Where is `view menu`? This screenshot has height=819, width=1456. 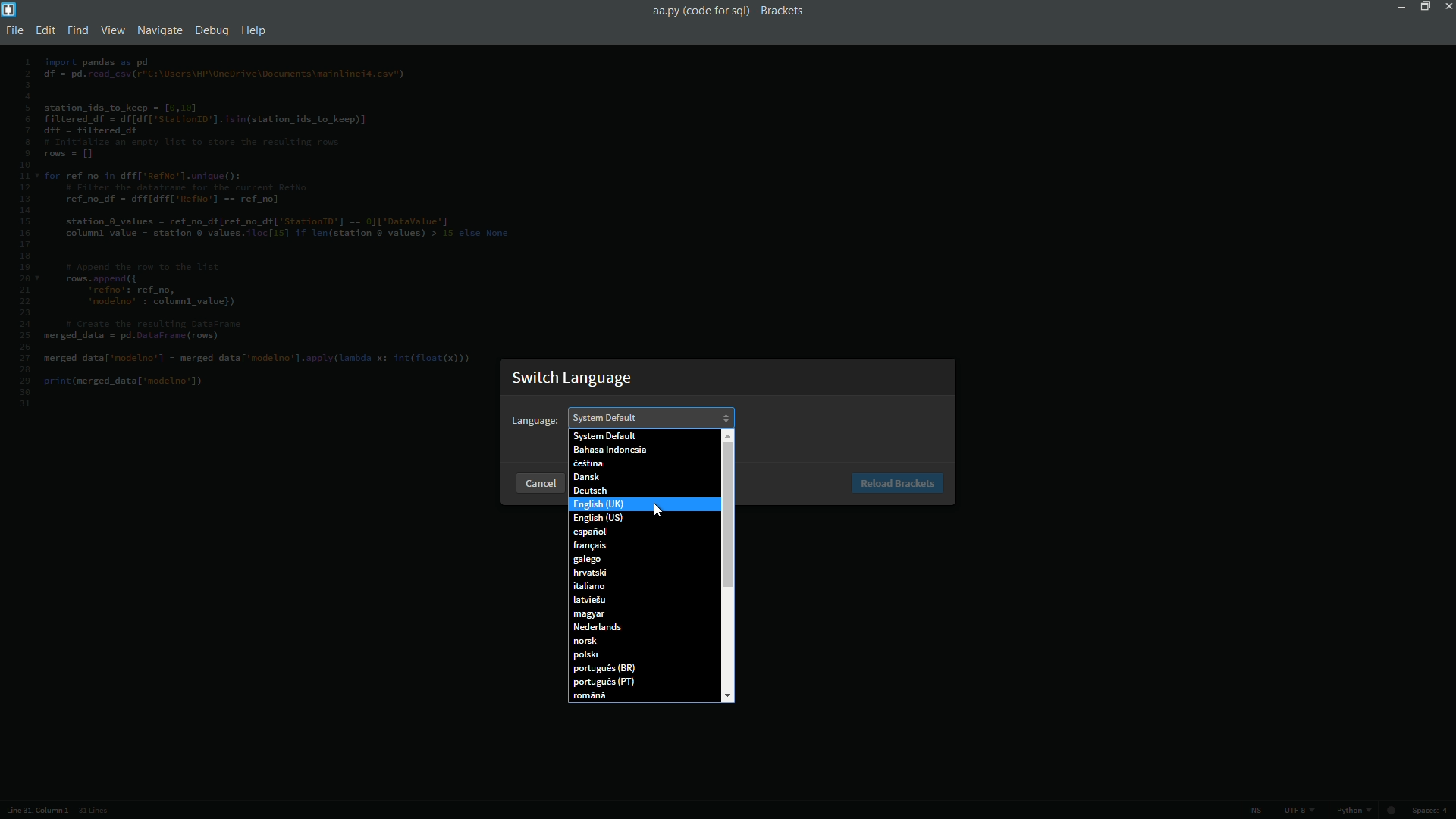 view menu is located at coordinates (111, 30).